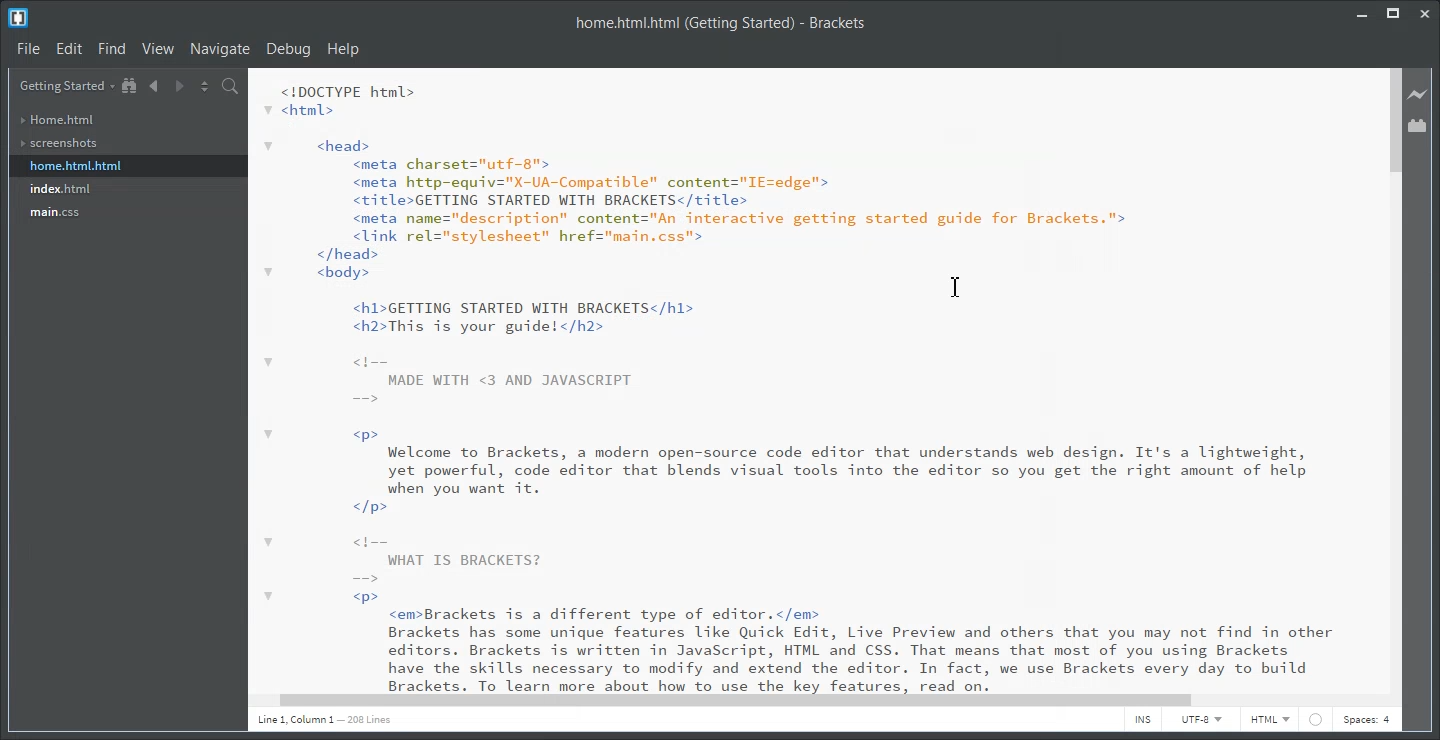  I want to click on Logo, so click(19, 18).